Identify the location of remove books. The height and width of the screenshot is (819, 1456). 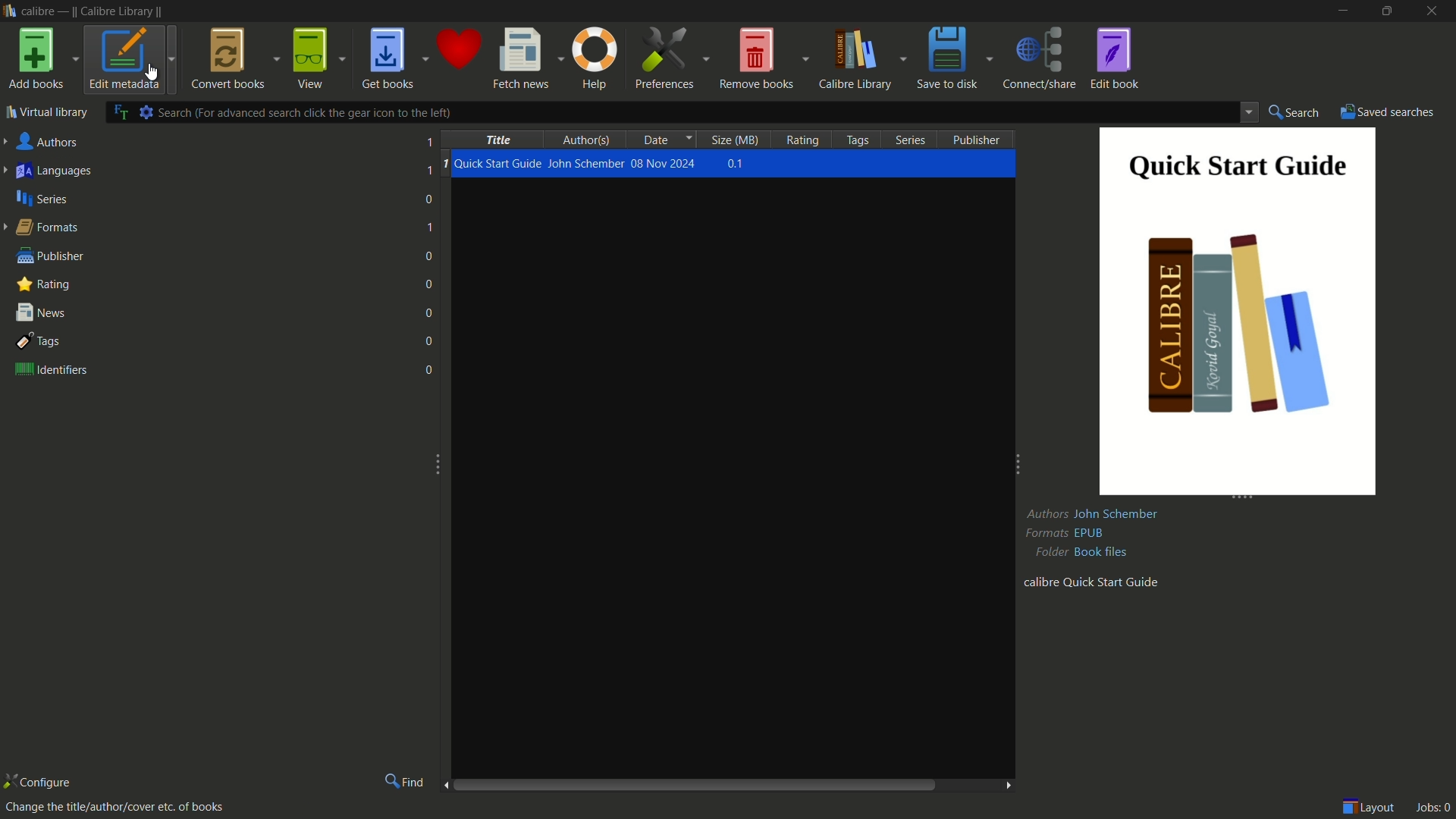
(763, 57).